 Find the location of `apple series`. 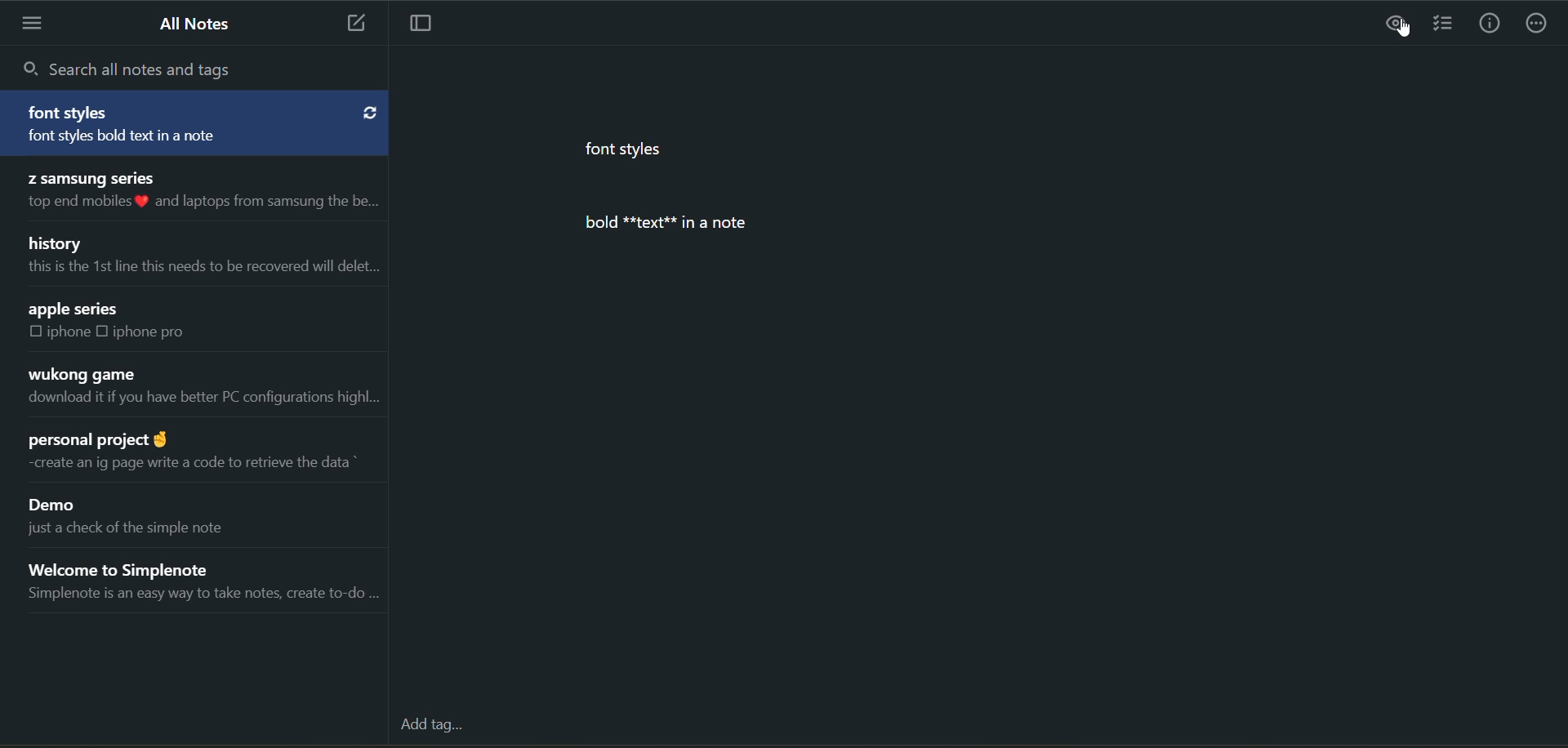

apple series is located at coordinates (75, 309).